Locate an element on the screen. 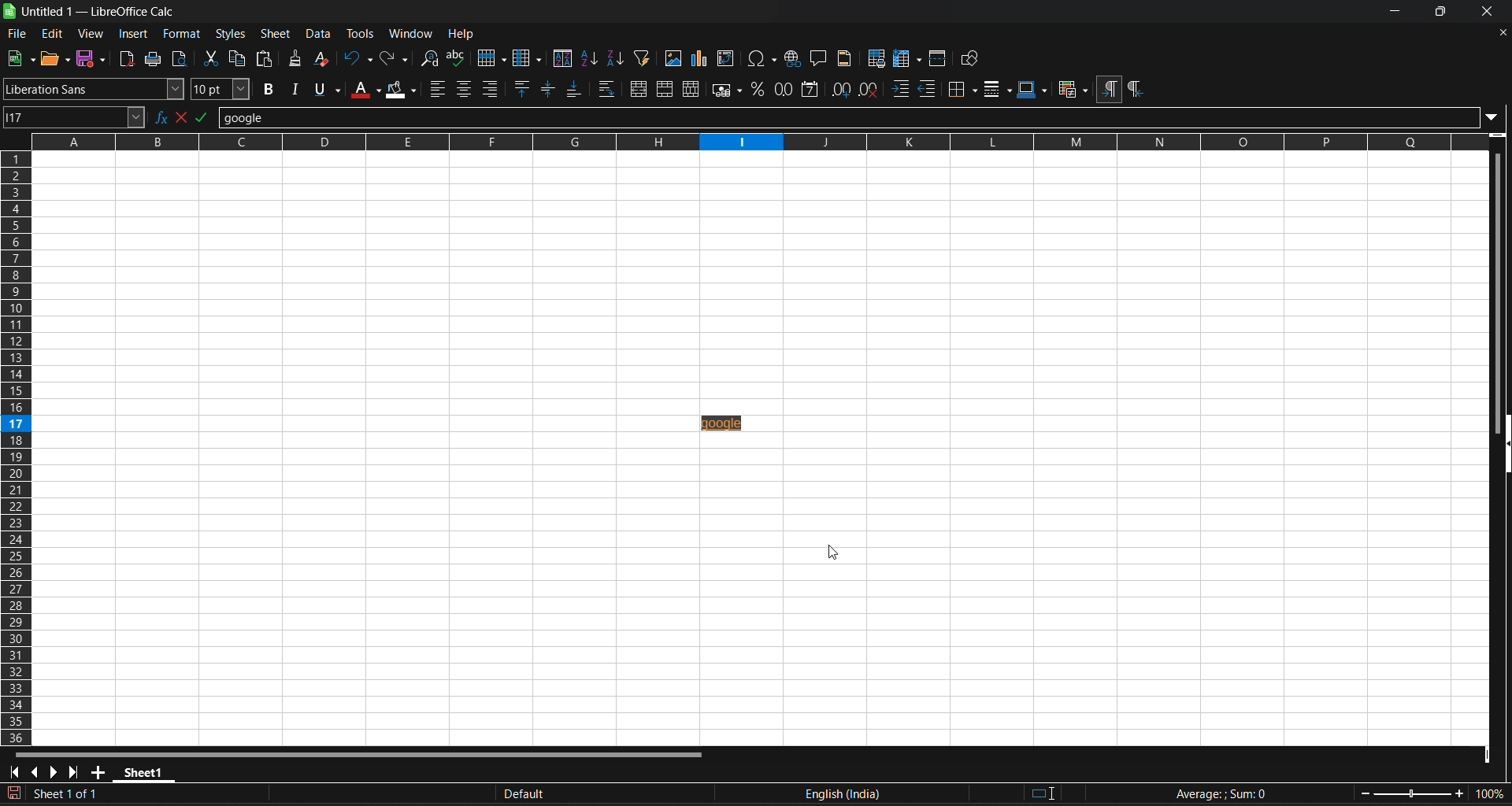 The image size is (1512, 806). align center is located at coordinates (465, 89).